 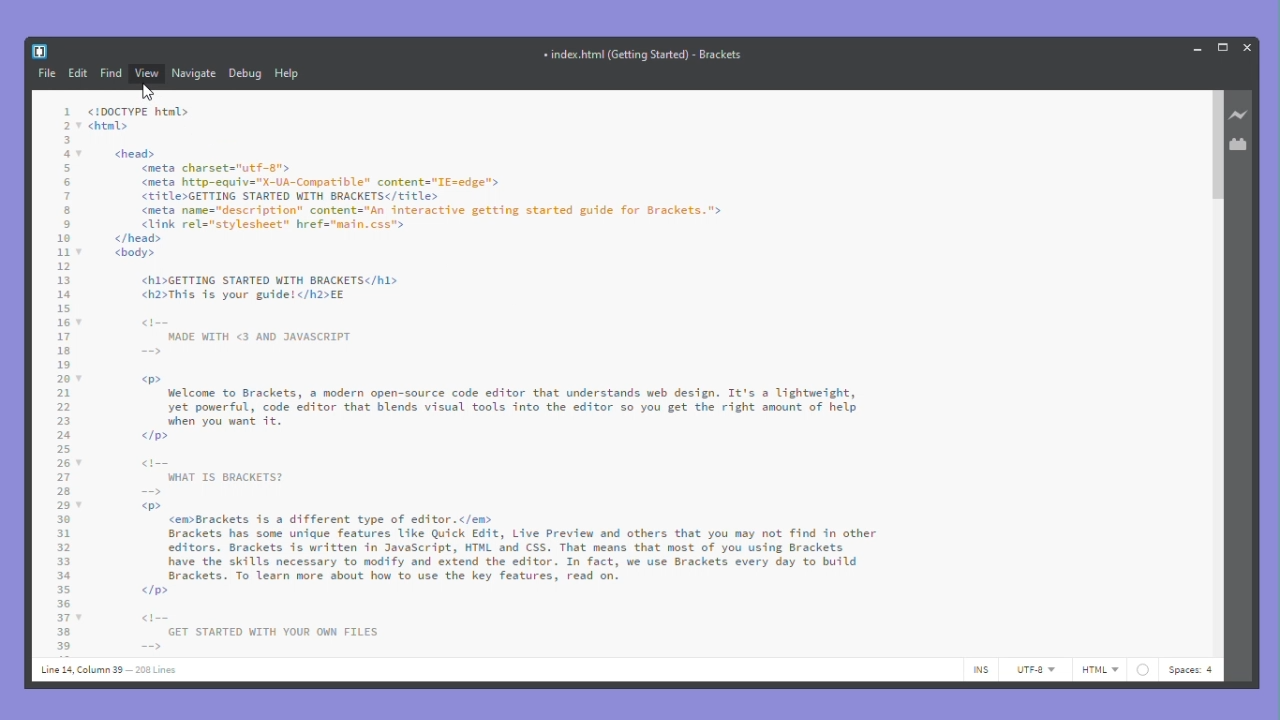 What do you see at coordinates (982, 669) in the screenshot?
I see `I n s` at bounding box center [982, 669].